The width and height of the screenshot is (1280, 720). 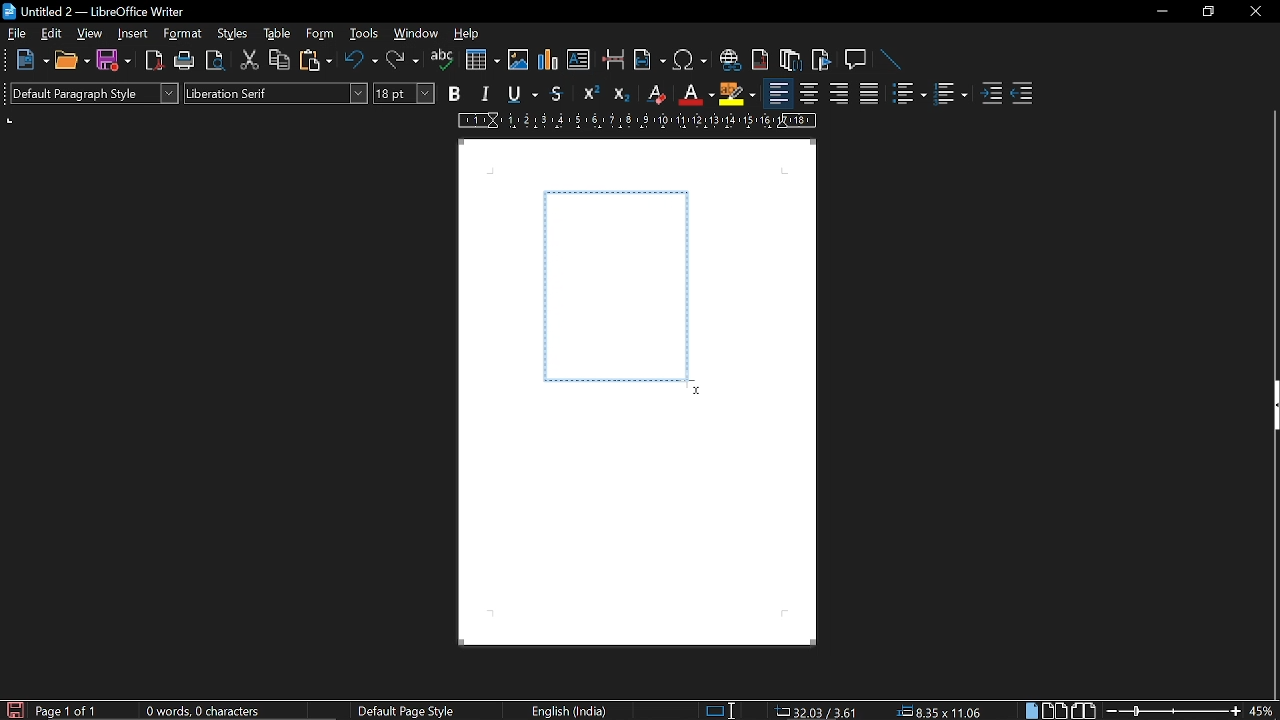 I want to click on text size, so click(x=404, y=94).